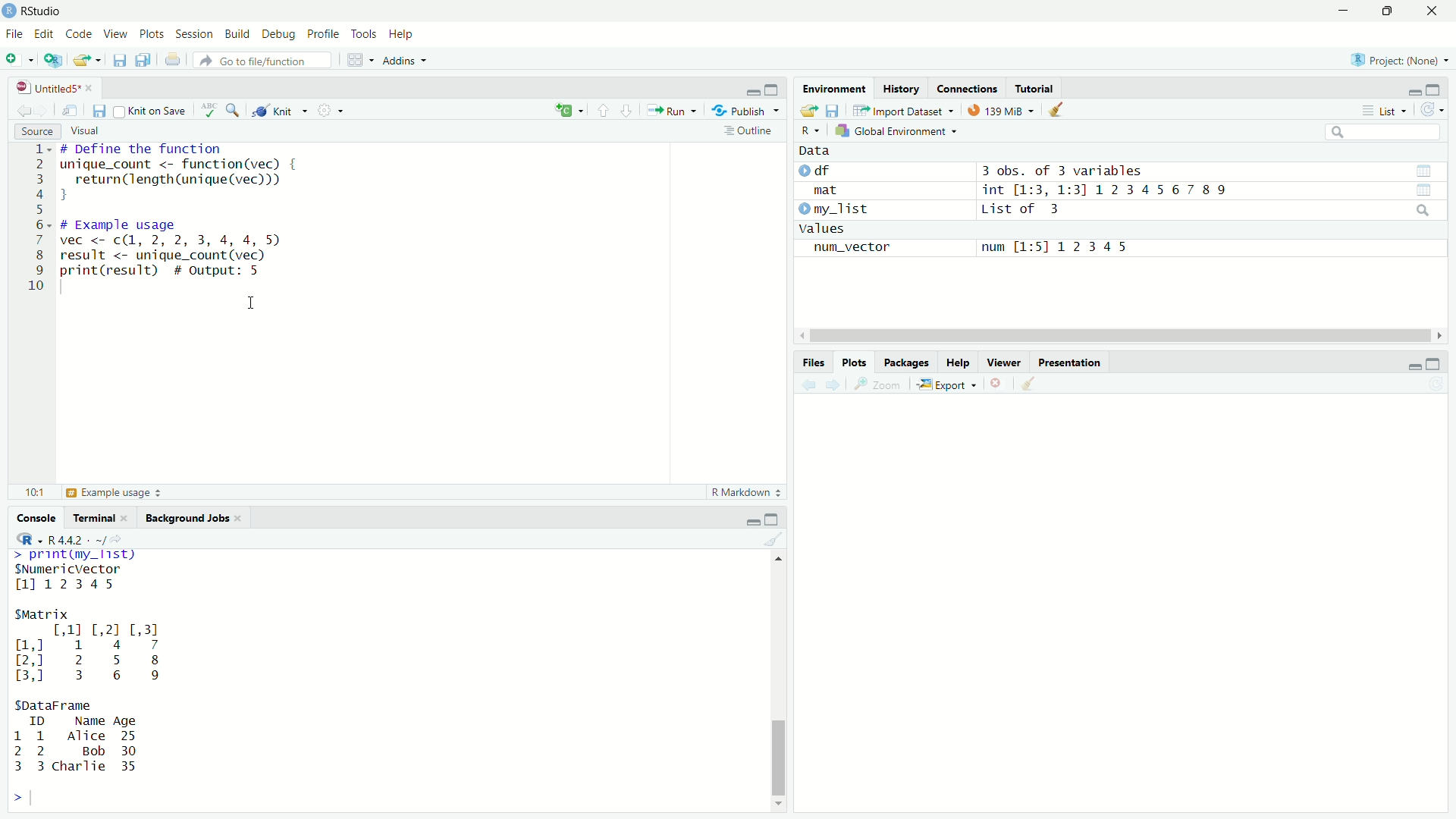  I want to click on Debug, so click(280, 34).